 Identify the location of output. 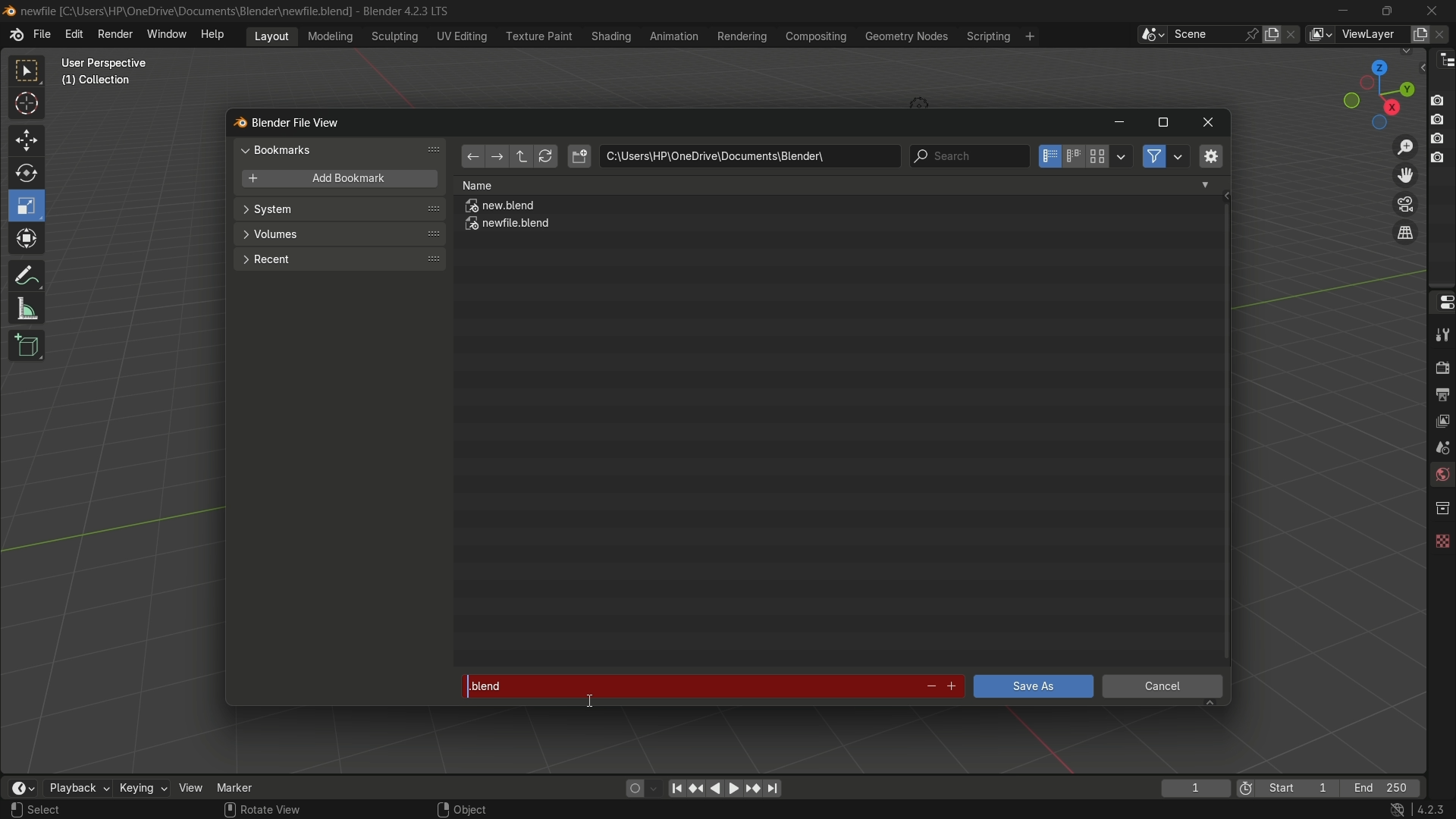
(1442, 394).